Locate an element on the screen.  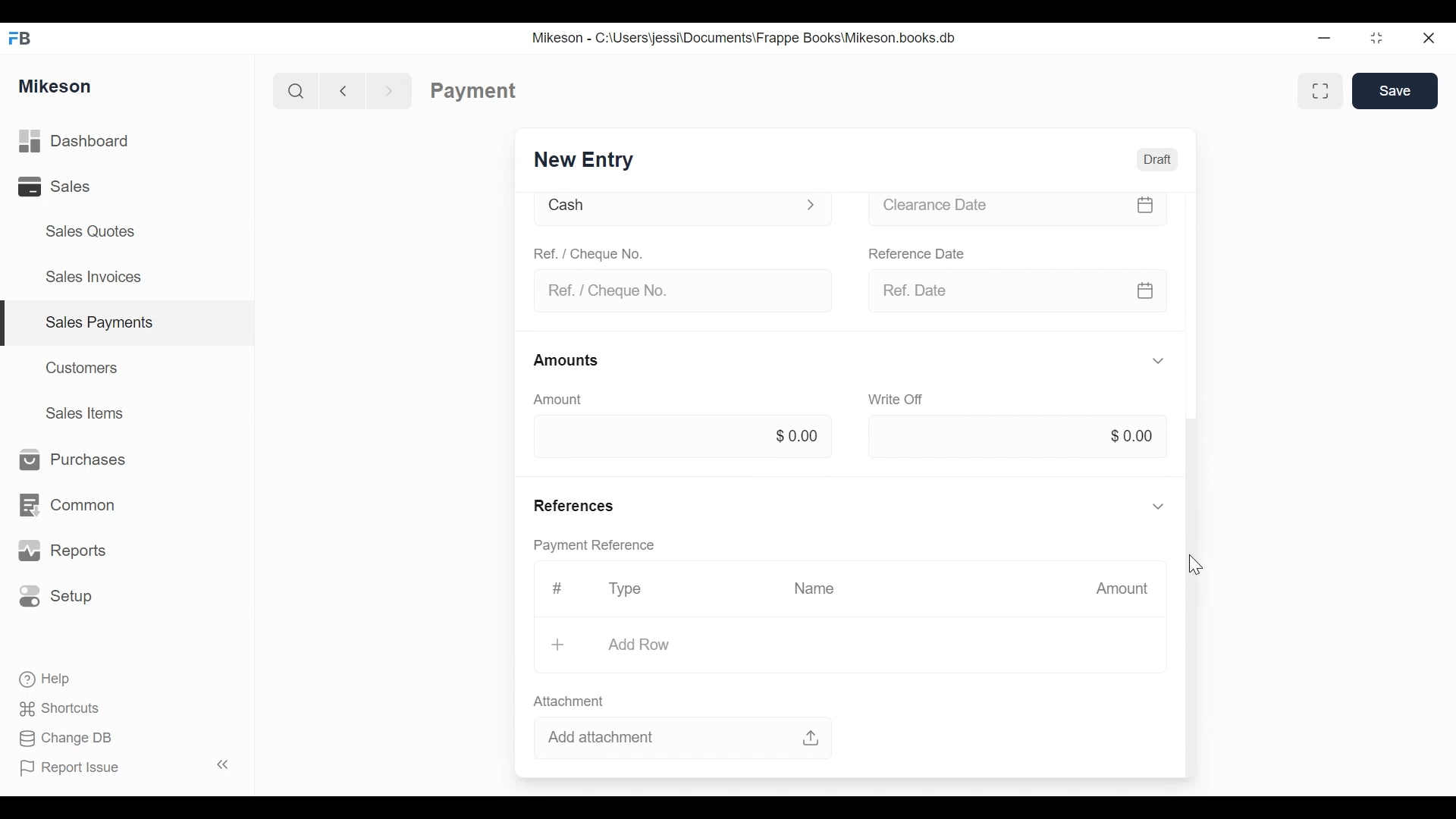
Help is located at coordinates (56, 679).